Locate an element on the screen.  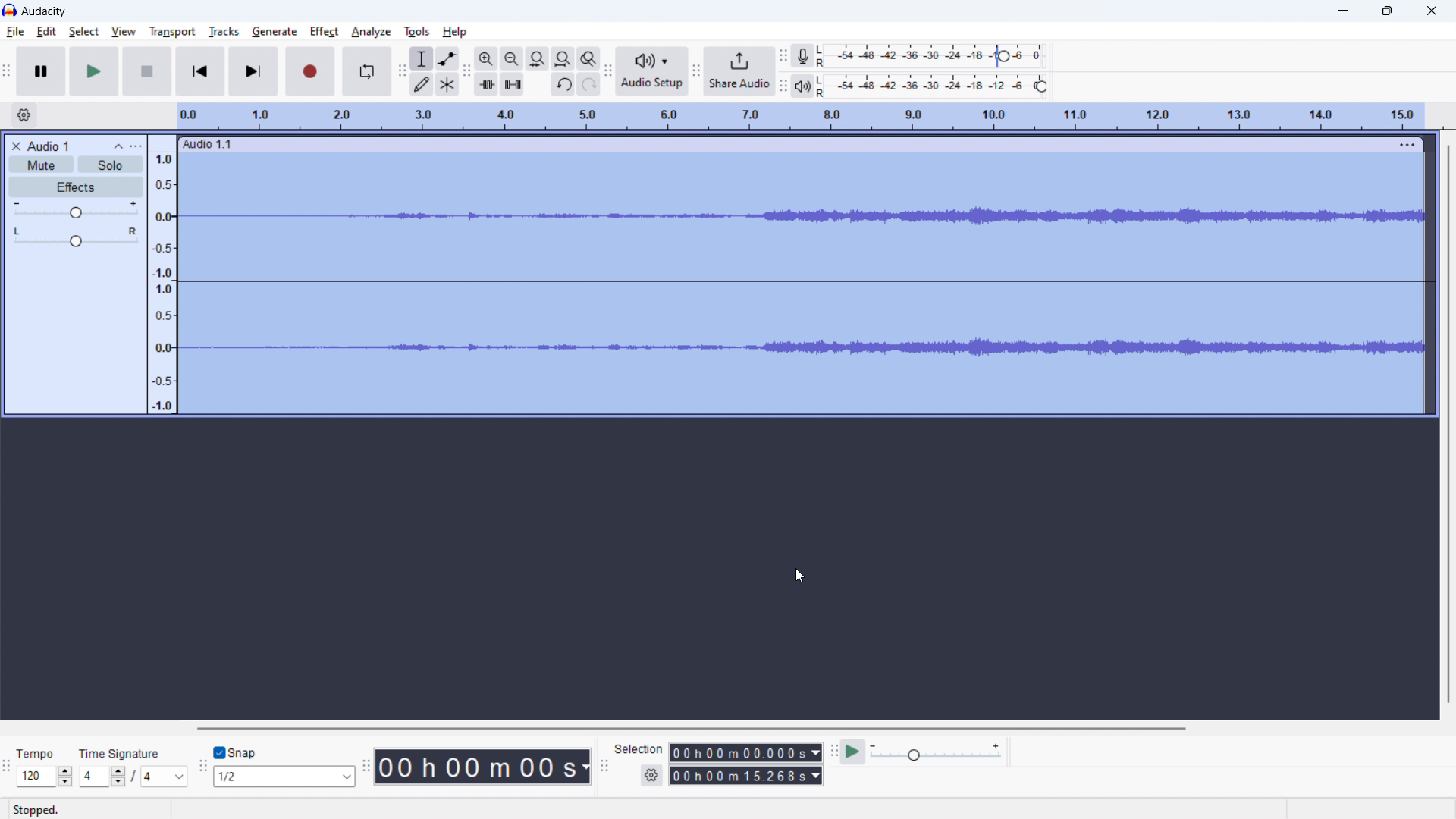
record is located at coordinates (309, 71).